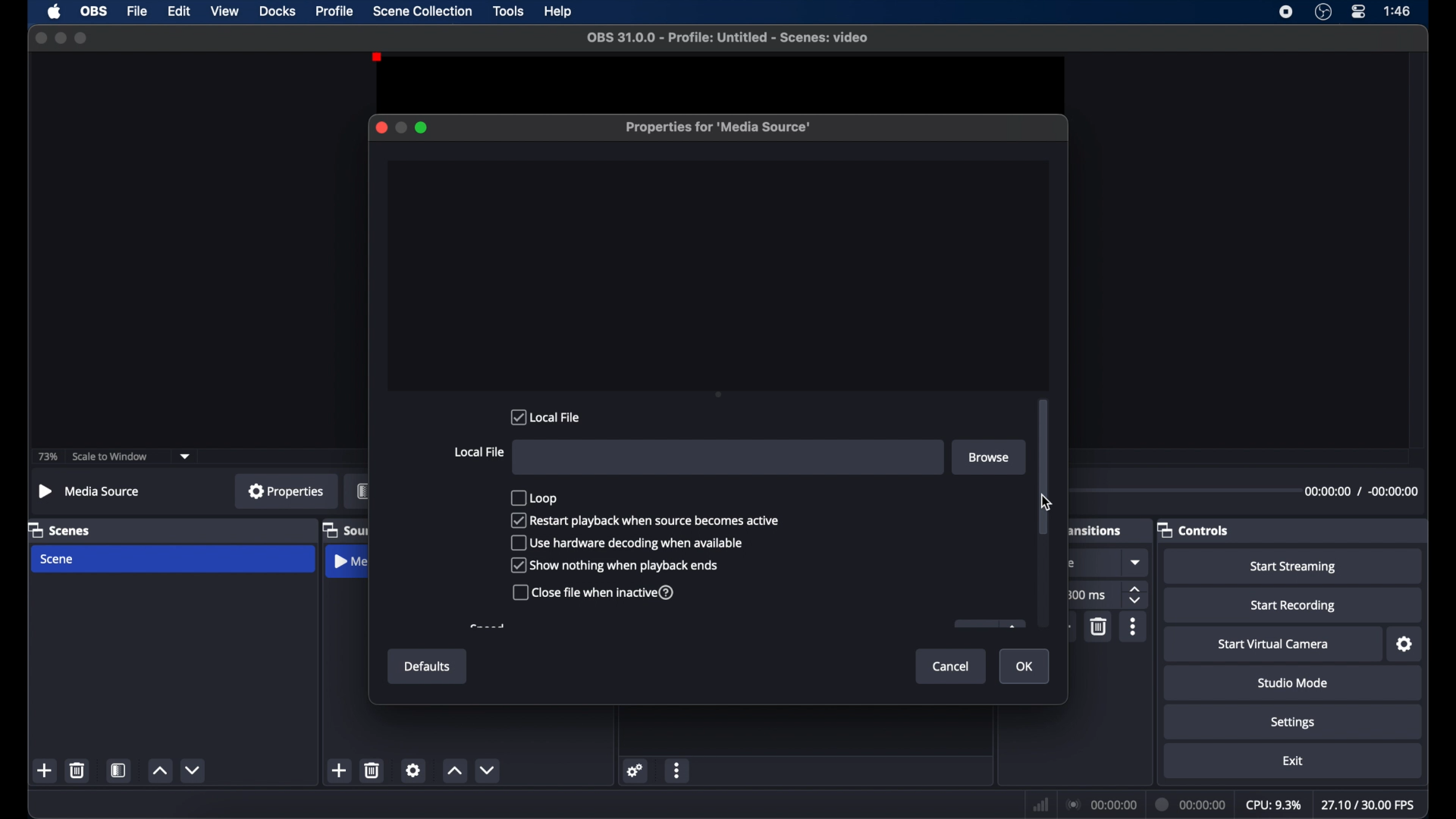 The height and width of the screenshot is (819, 1456). I want to click on 73%, so click(49, 457).